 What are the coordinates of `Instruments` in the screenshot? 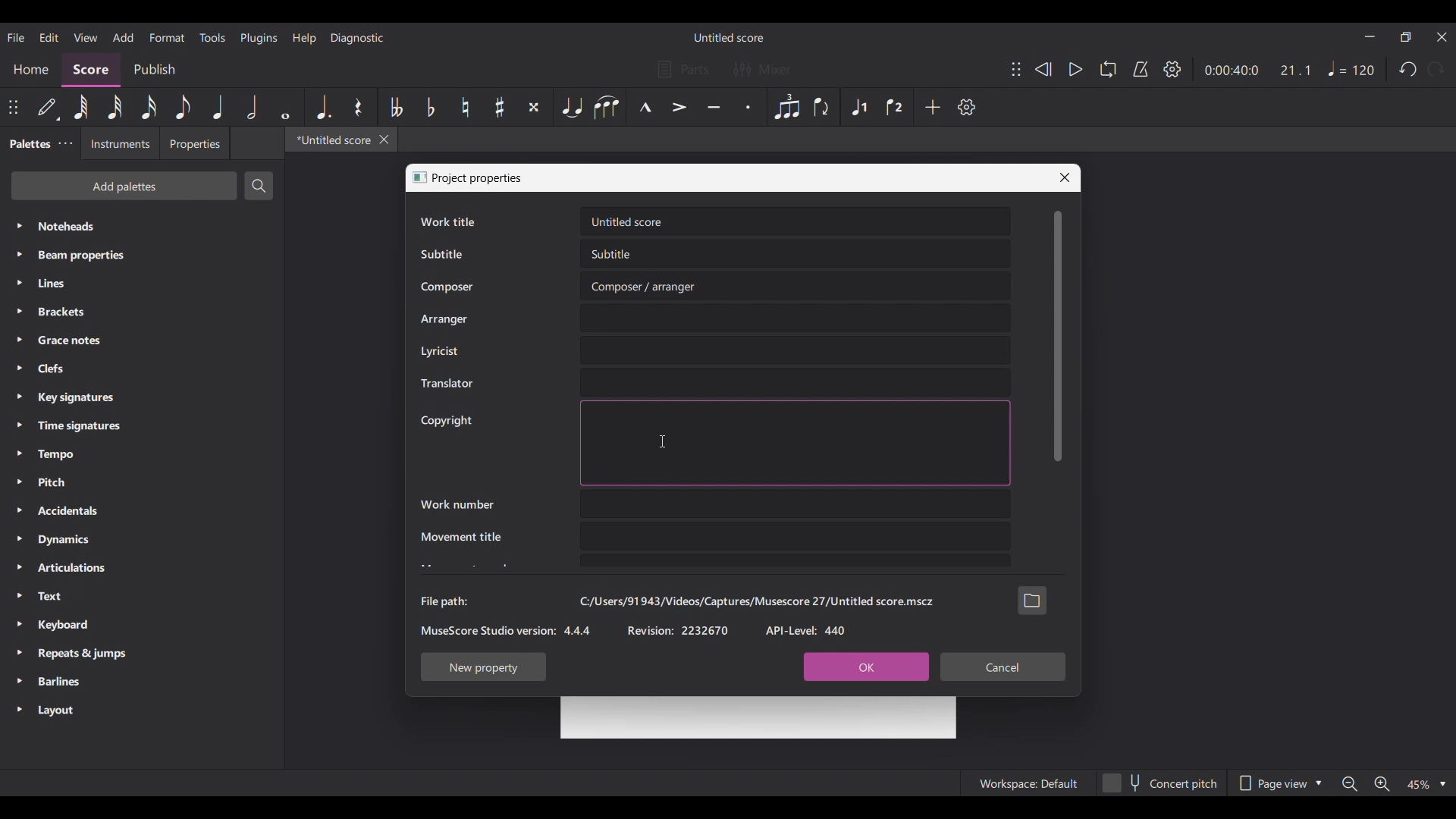 It's located at (120, 143).